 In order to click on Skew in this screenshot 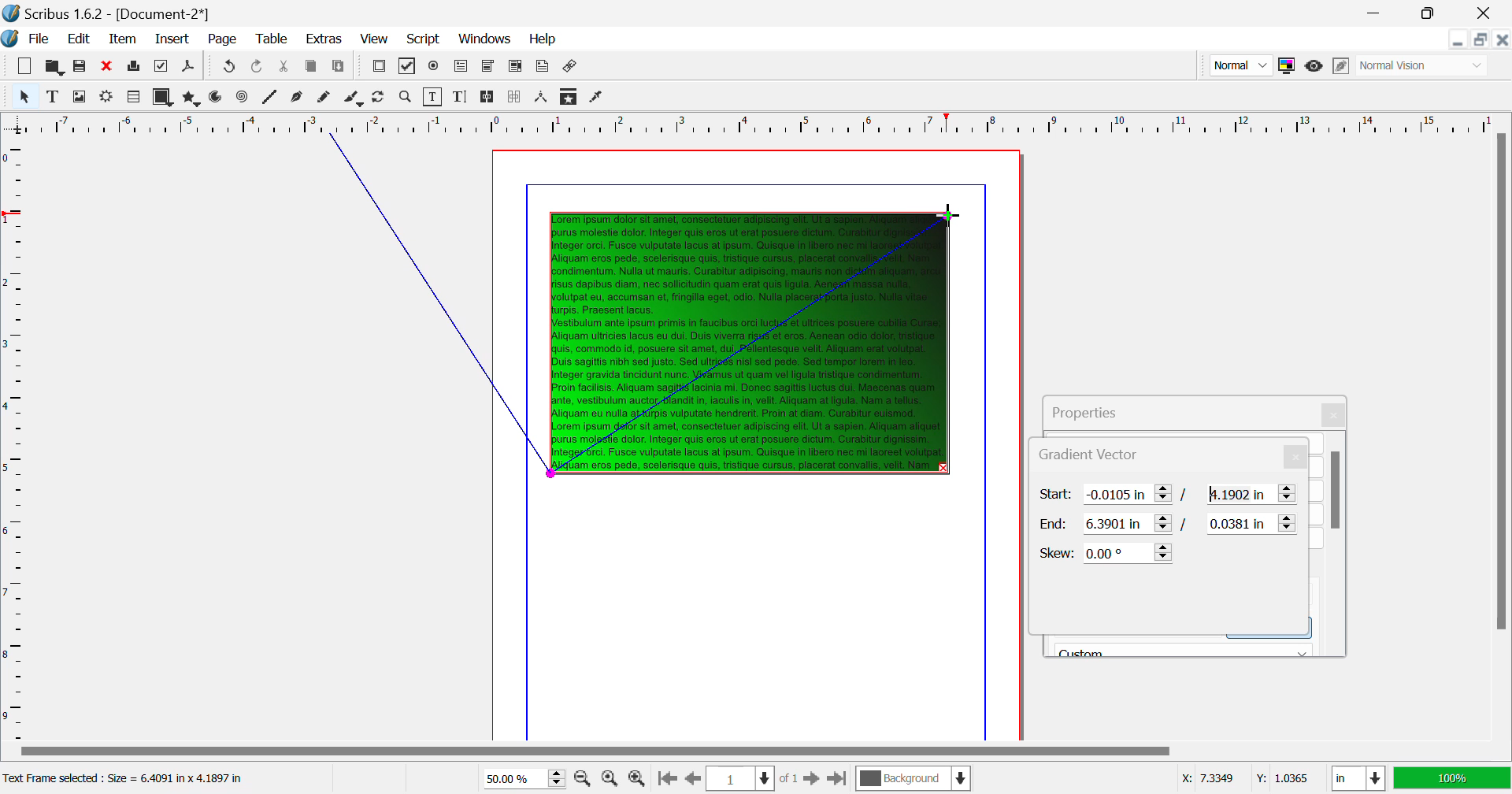, I will do `click(1107, 552)`.